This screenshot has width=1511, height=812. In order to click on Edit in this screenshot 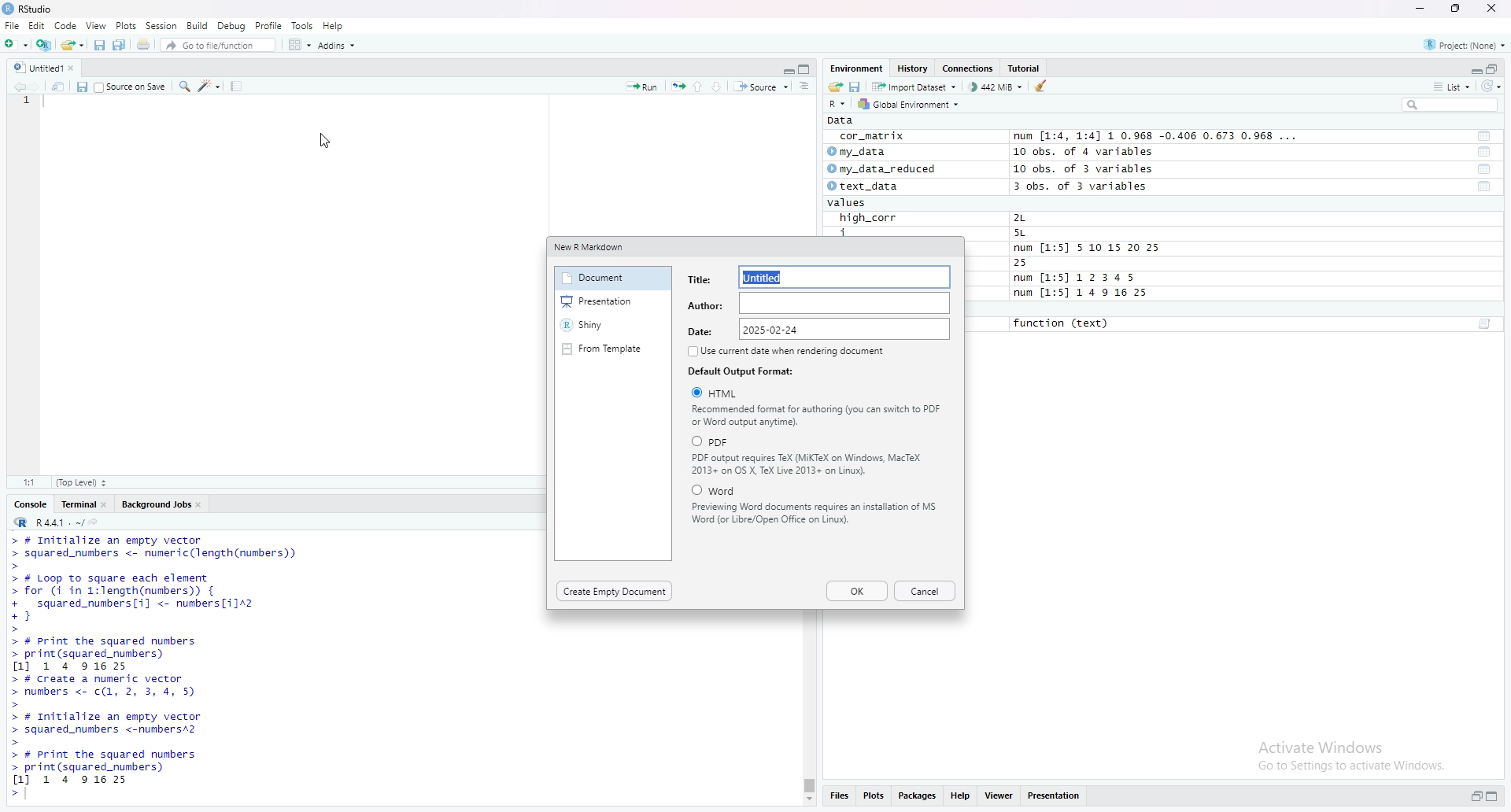, I will do `click(35, 25)`.